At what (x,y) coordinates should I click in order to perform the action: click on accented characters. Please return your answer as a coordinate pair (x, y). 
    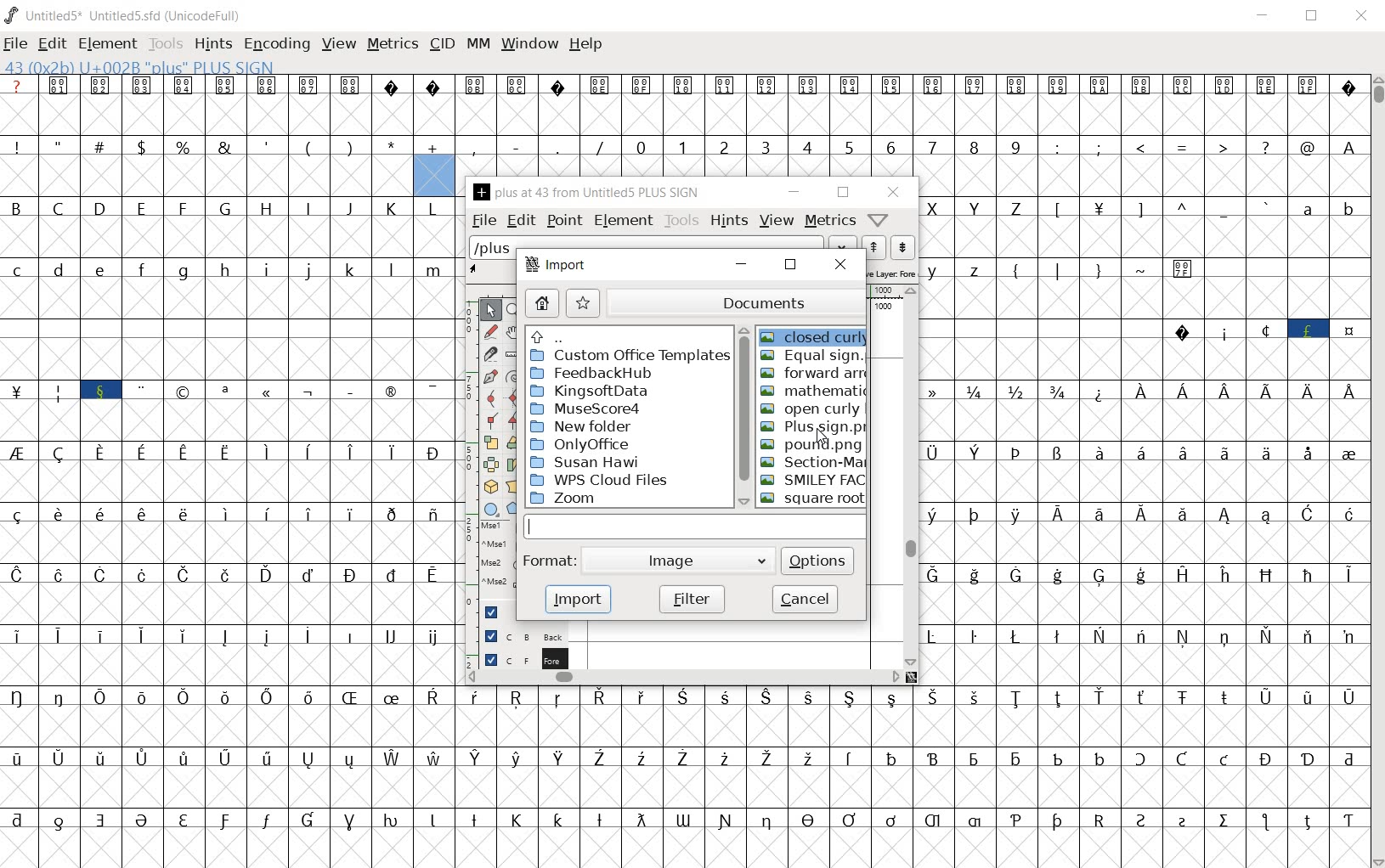
    Looking at the image, I should click on (336, 717).